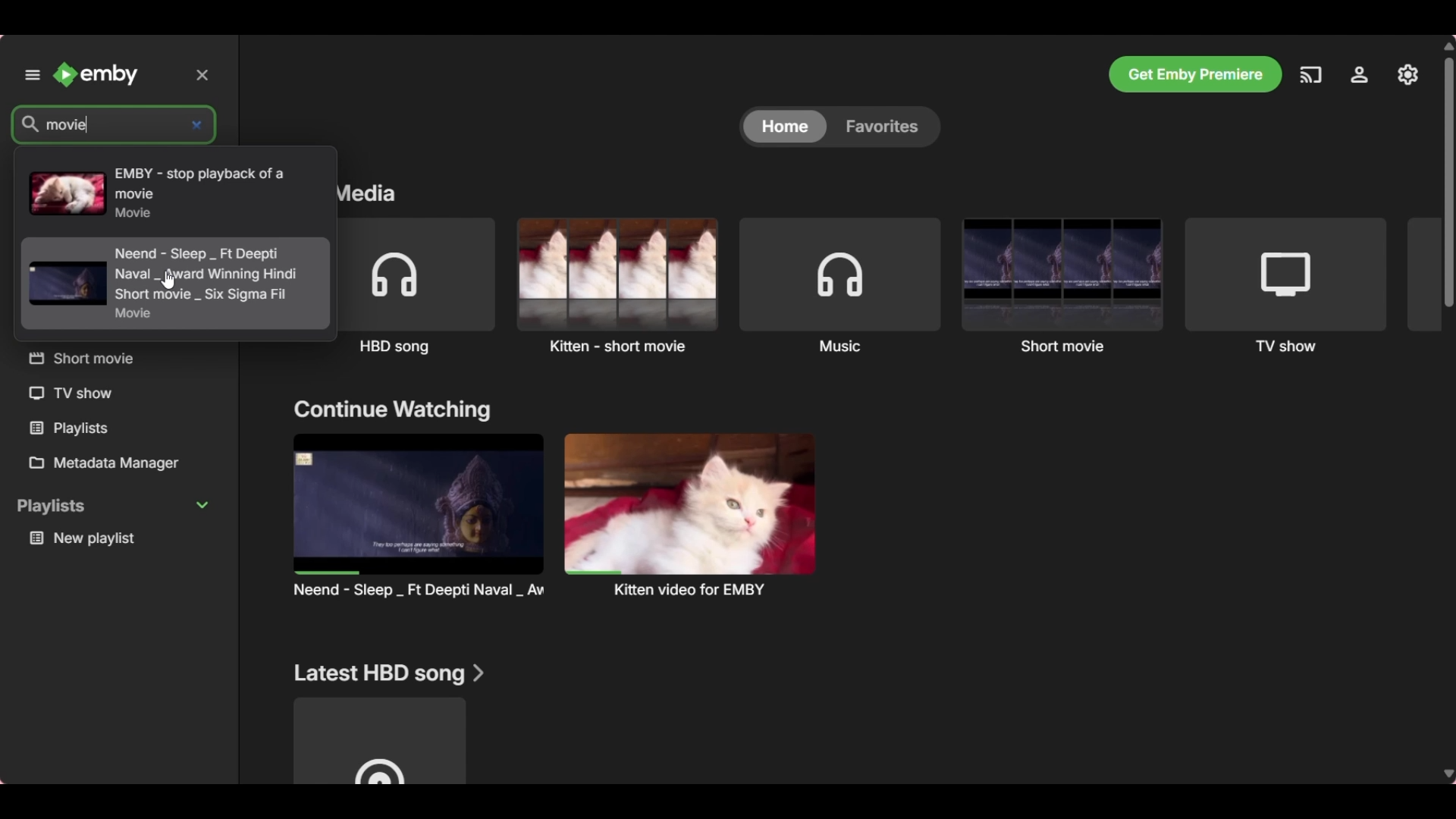 Image resolution: width=1456 pixels, height=819 pixels. Describe the element at coordinates (177, 187) in the screenshot. I see `Search results with the keyword mentioned in search` at that location.